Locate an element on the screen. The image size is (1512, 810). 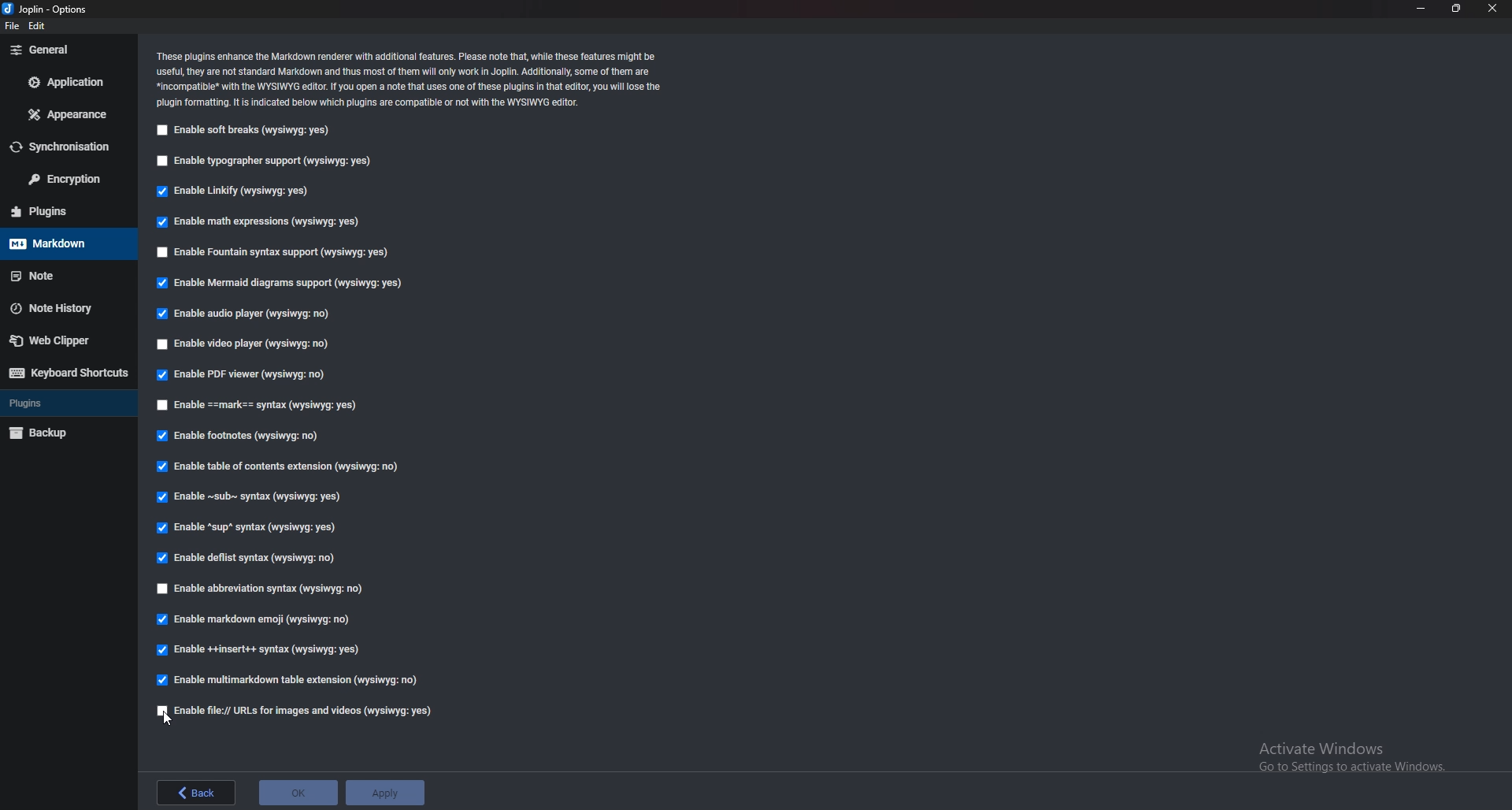
Enable markdown emoji is located at coordinates (258, 619).